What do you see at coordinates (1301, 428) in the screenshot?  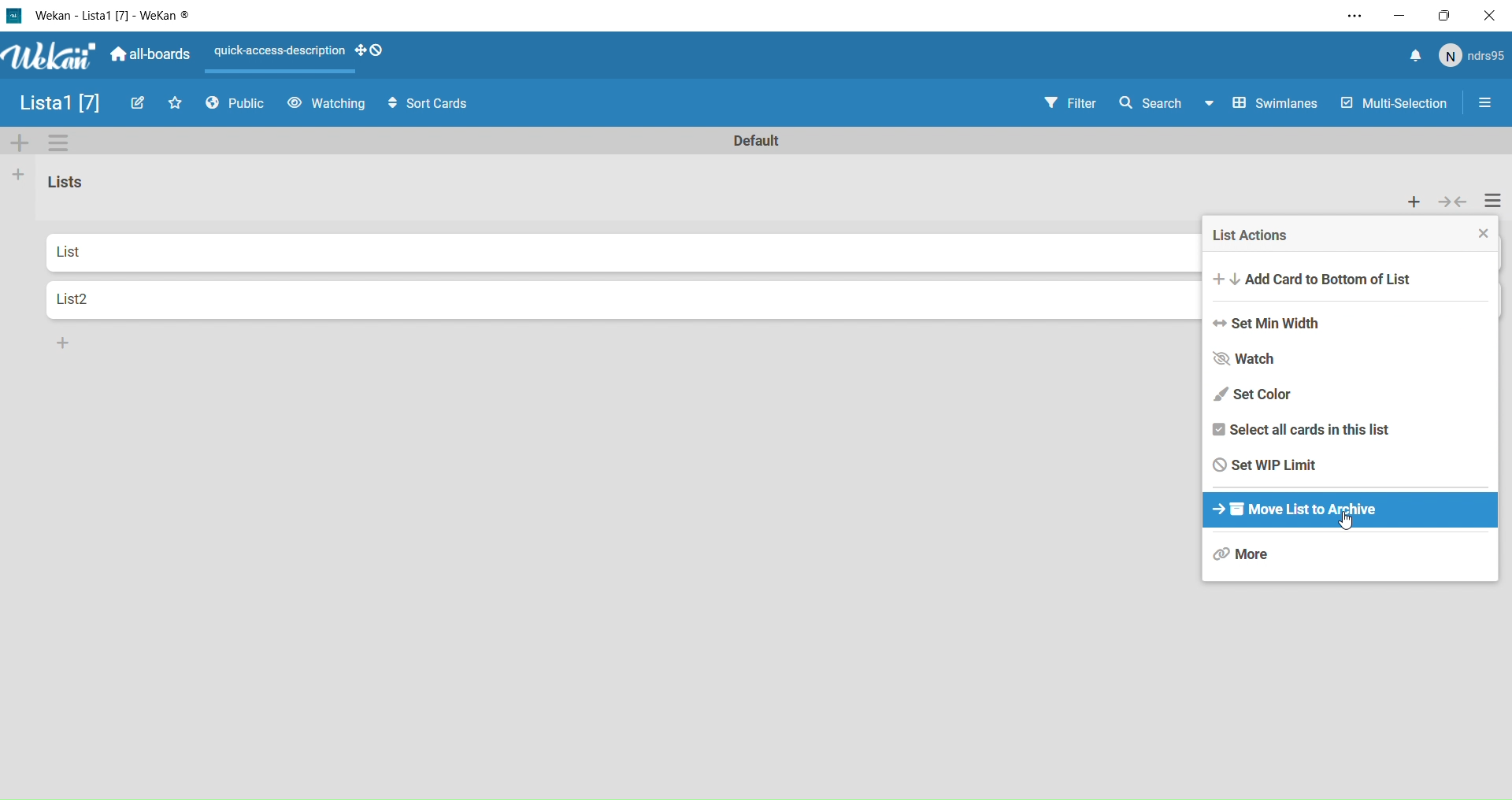 I see `Select all cards in this list` at bounding box center [1301, 428].